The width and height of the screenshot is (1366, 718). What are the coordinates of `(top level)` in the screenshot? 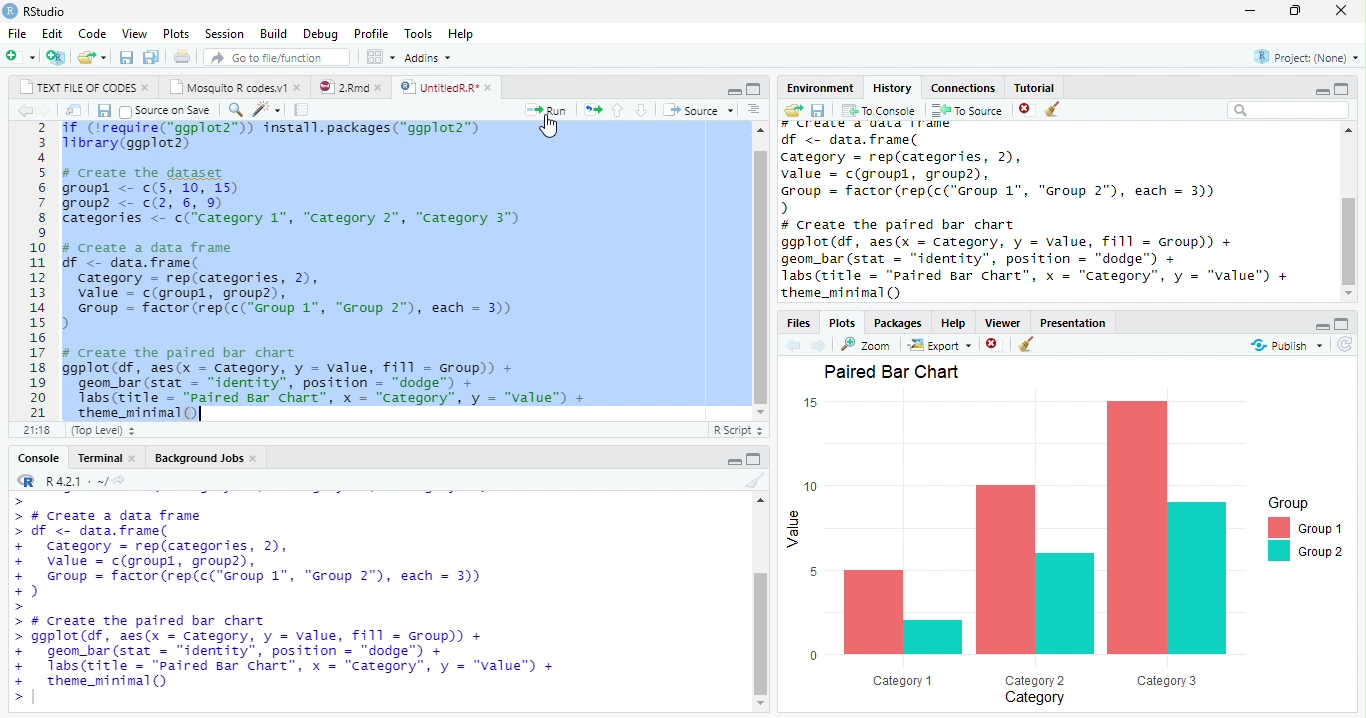 It's located at (105, 431).